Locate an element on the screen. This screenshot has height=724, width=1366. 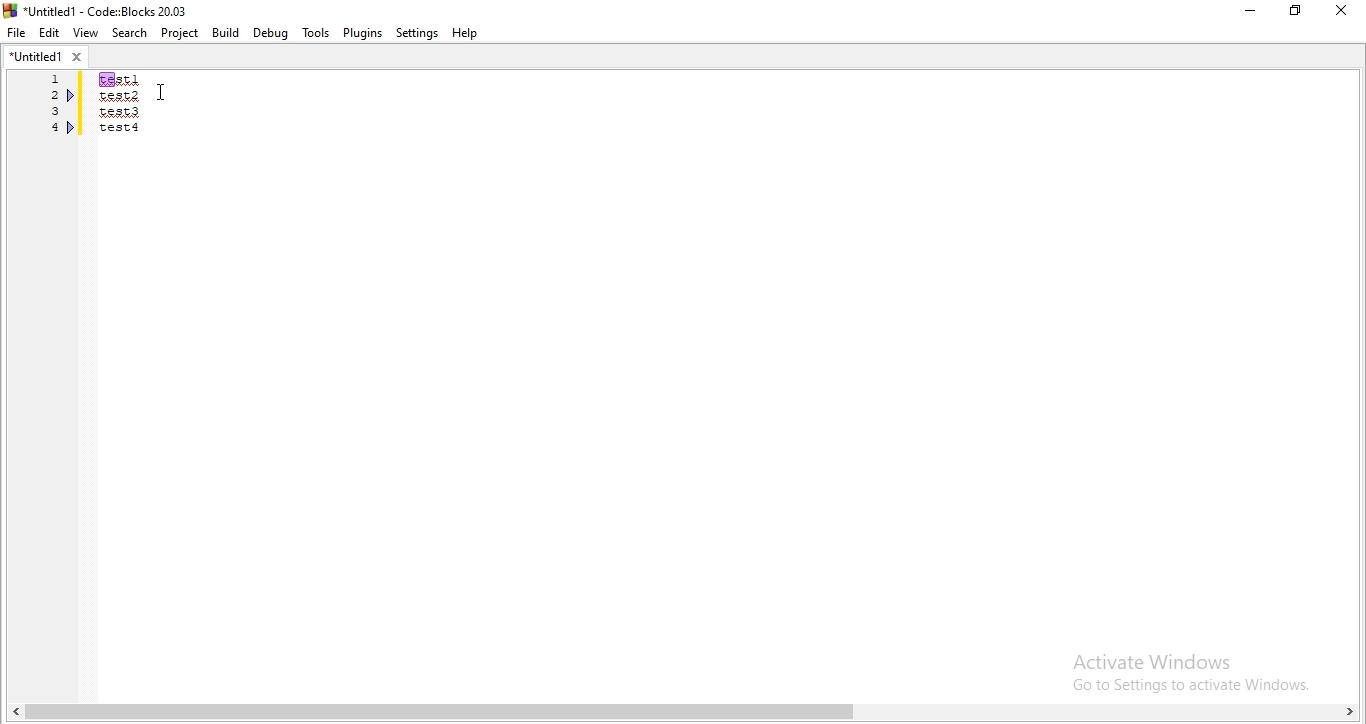
minimize is located at coordinates (1248, 12).